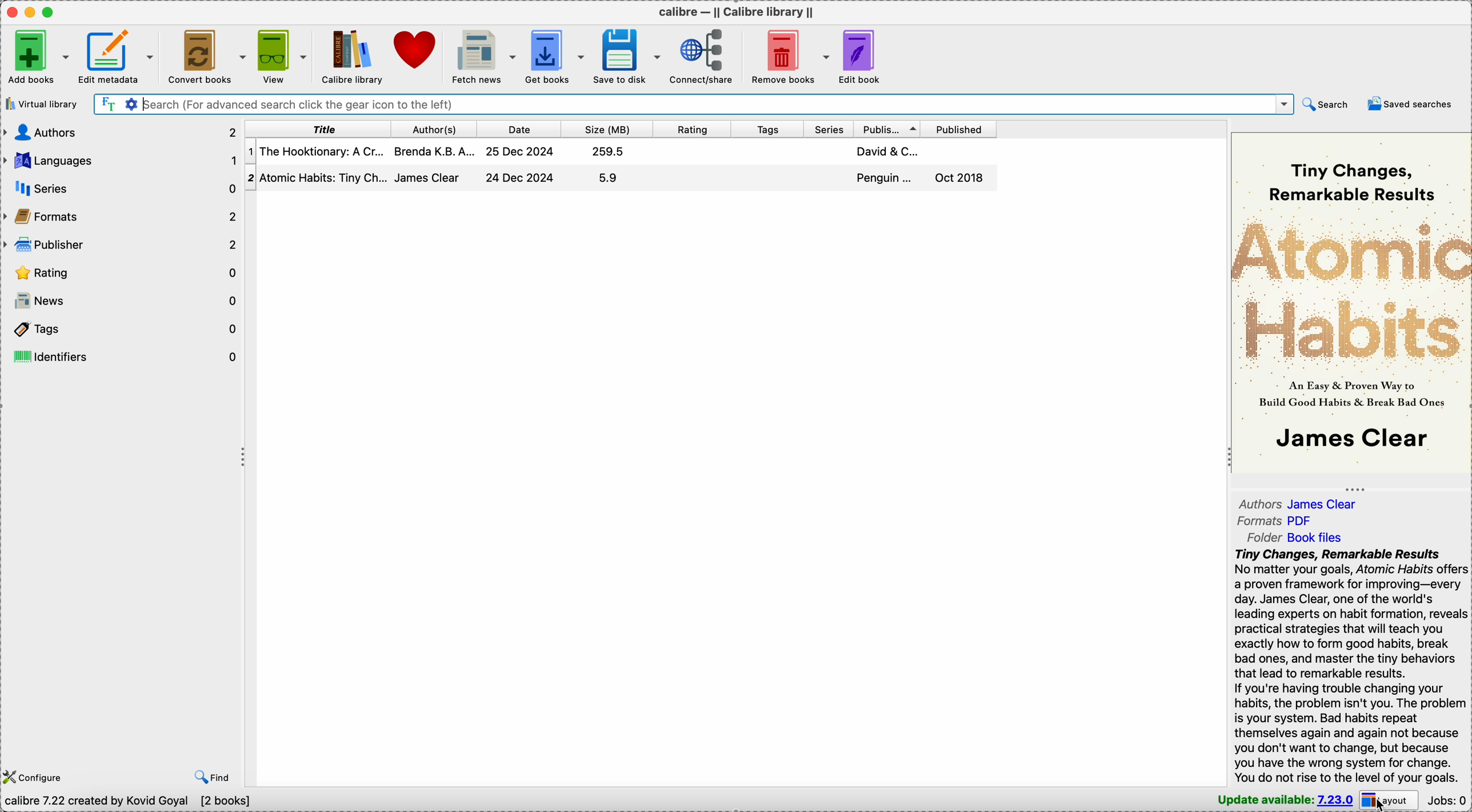 Image resolution: width=1472 pixels, height=812 pixels. I want to click on size, so click(607, 129).